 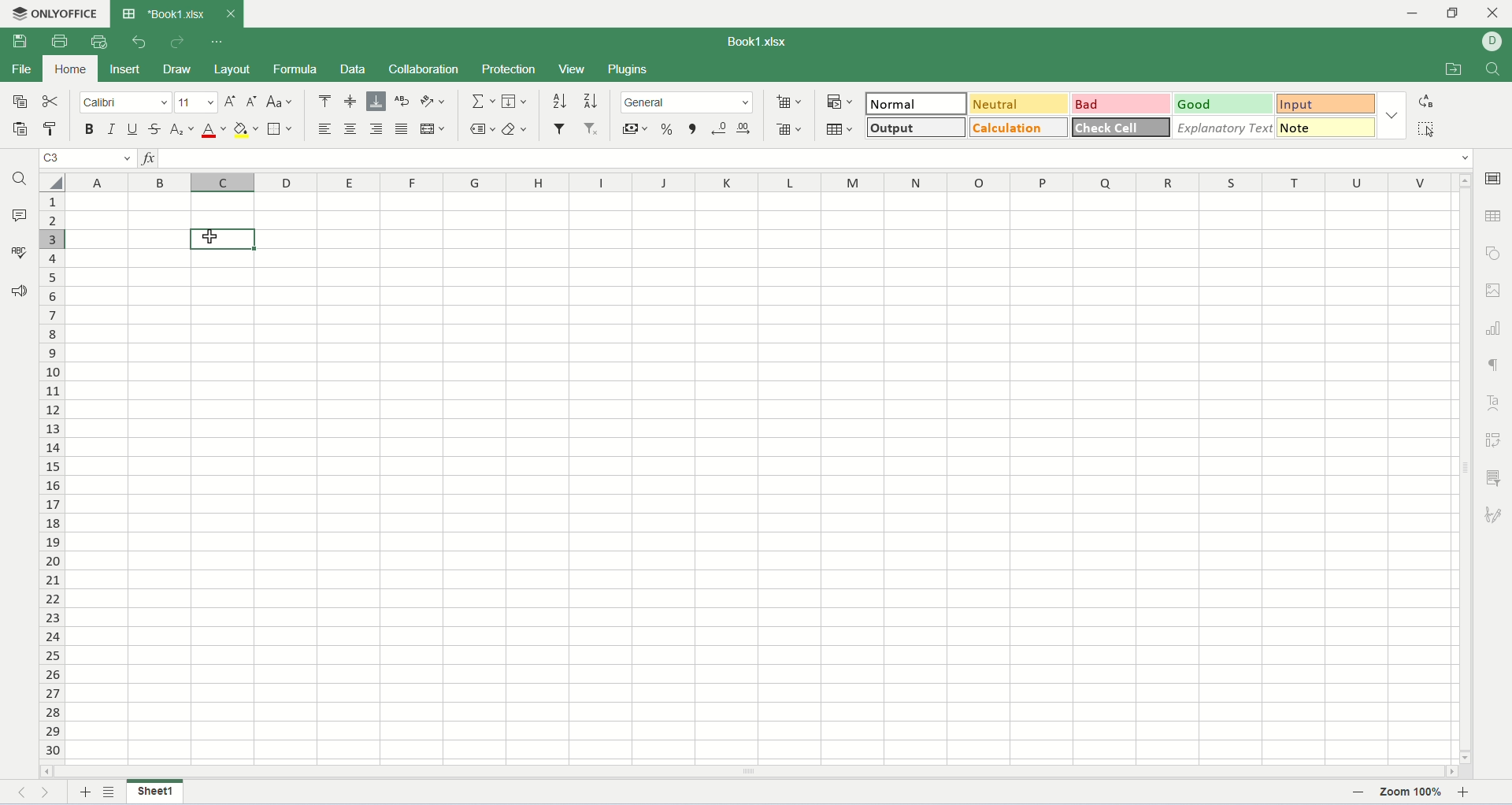 I want to click on font name, so click(x=126, y=103).